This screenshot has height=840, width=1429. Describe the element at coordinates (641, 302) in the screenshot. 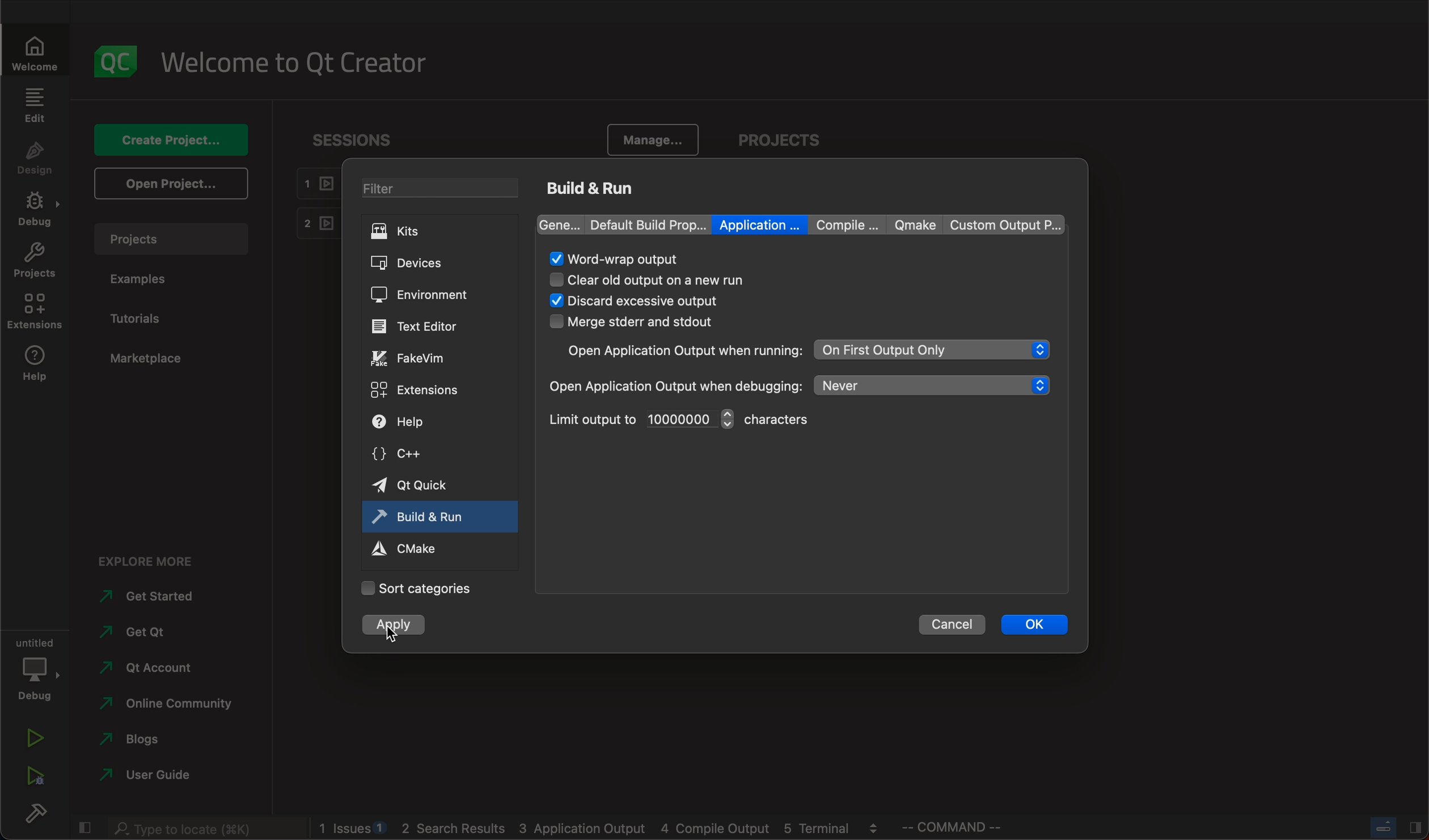

I see `selectes` at that location.